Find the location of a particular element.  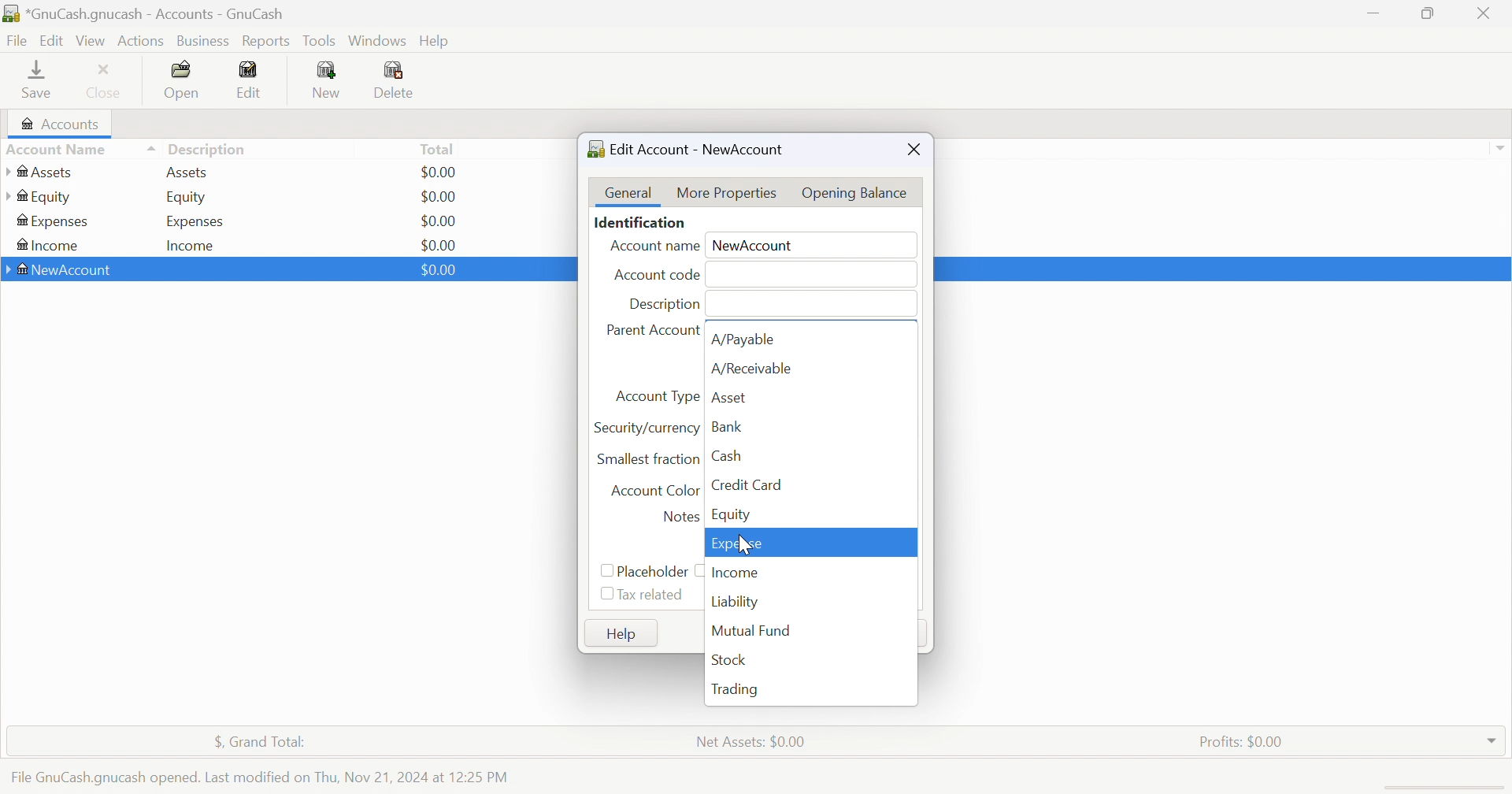

Edit Account - NewAccount is located at coordinates (687, 149).